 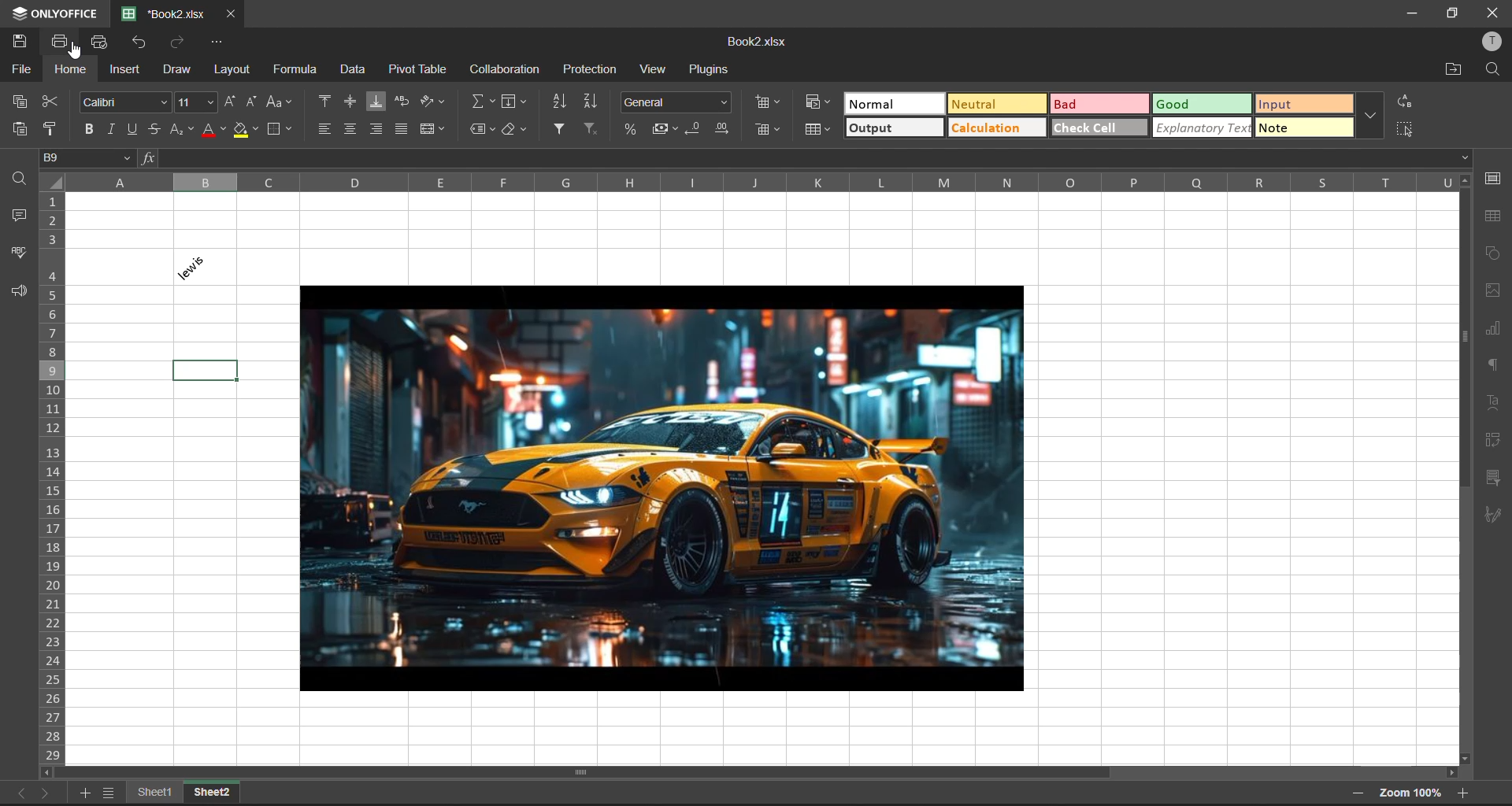 What do you see at coordinates (765, 102) in the screenshot?
I see `insert cells` at bounding box center [765, 102].